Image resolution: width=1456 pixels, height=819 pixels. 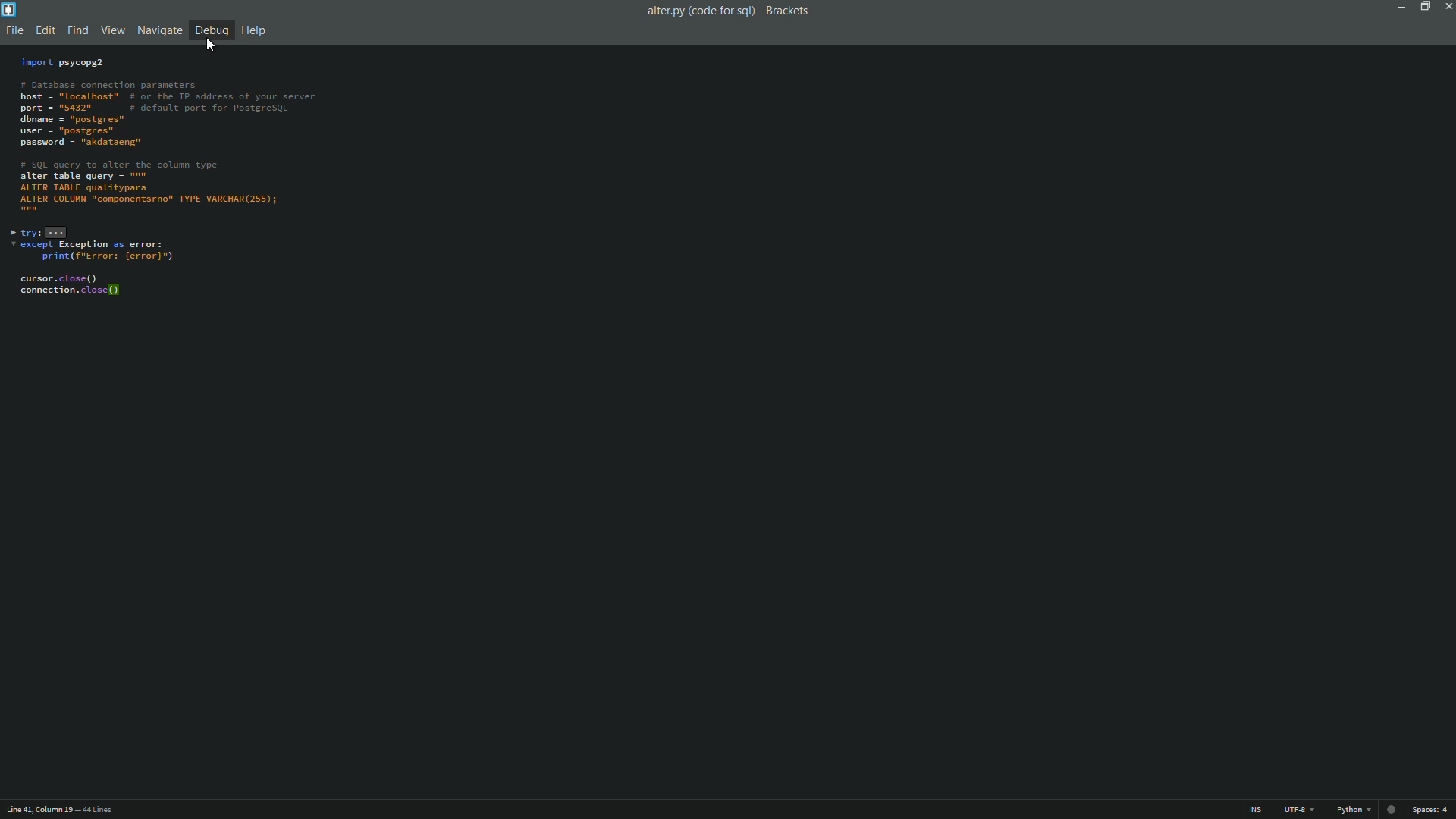 I want to click on File name, so click(x=697, y=11).